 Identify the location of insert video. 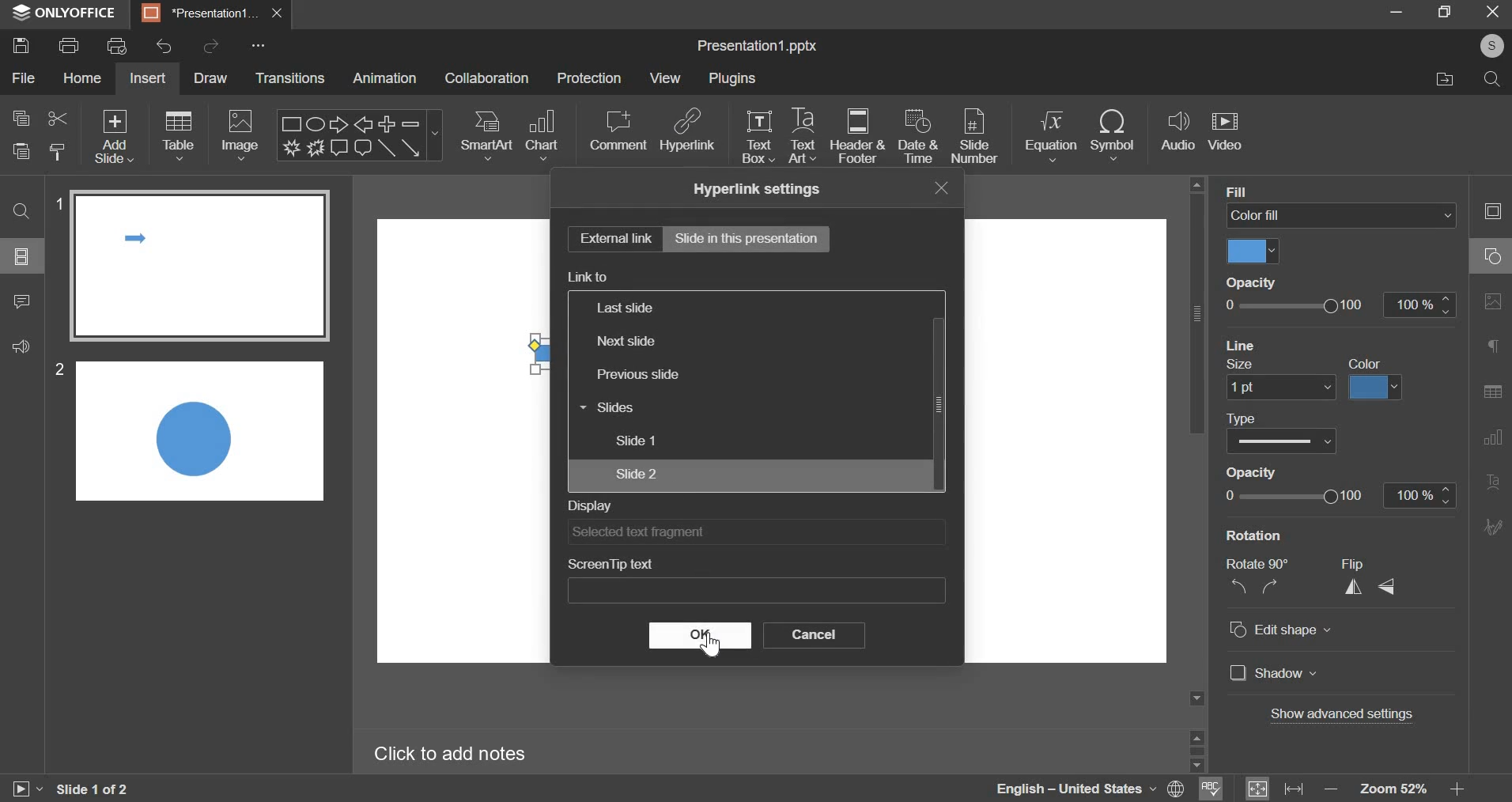
(1227, 136).